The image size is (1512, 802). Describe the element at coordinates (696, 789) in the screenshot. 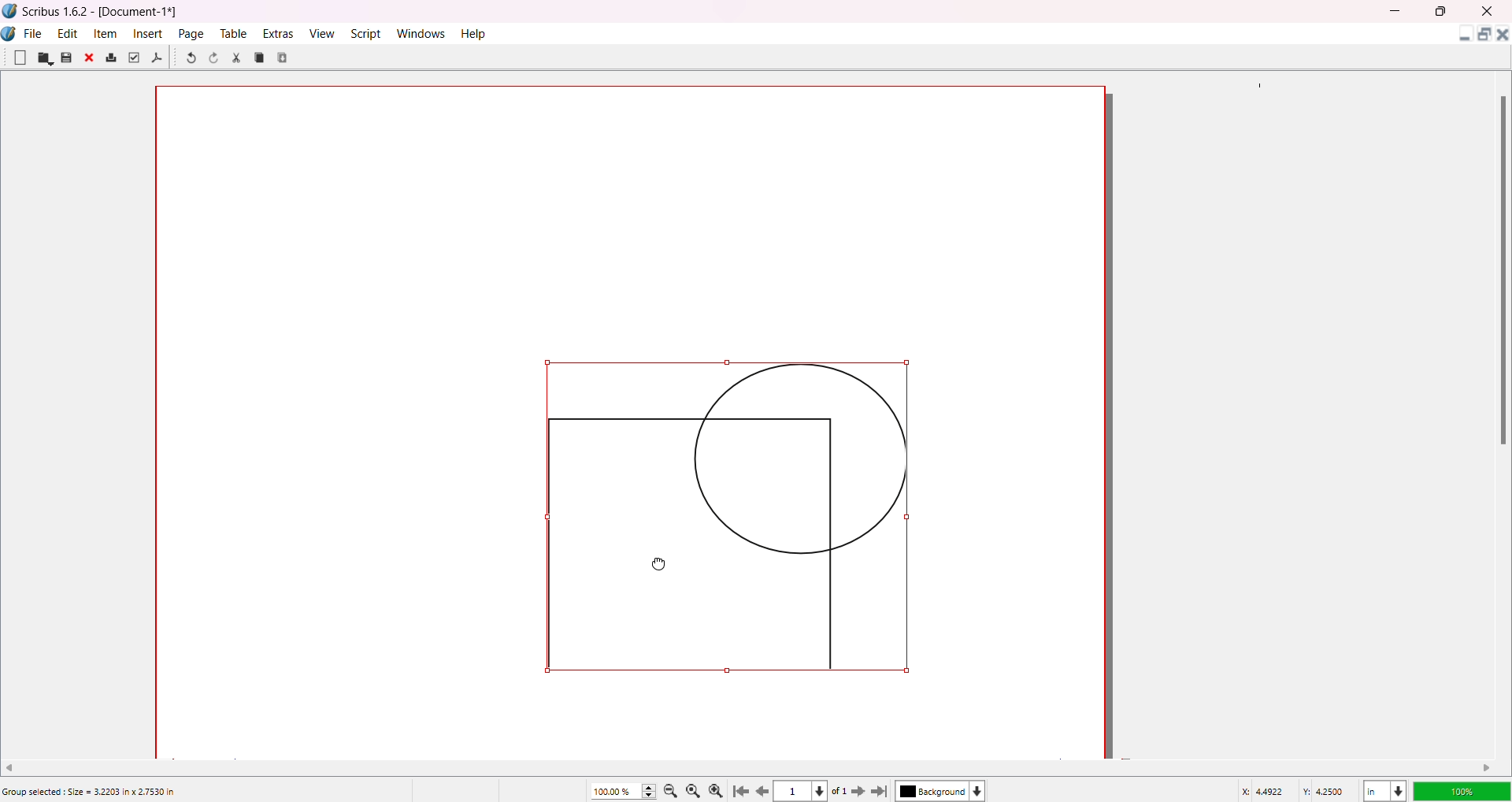

I see `Zoom to 100` at that location.